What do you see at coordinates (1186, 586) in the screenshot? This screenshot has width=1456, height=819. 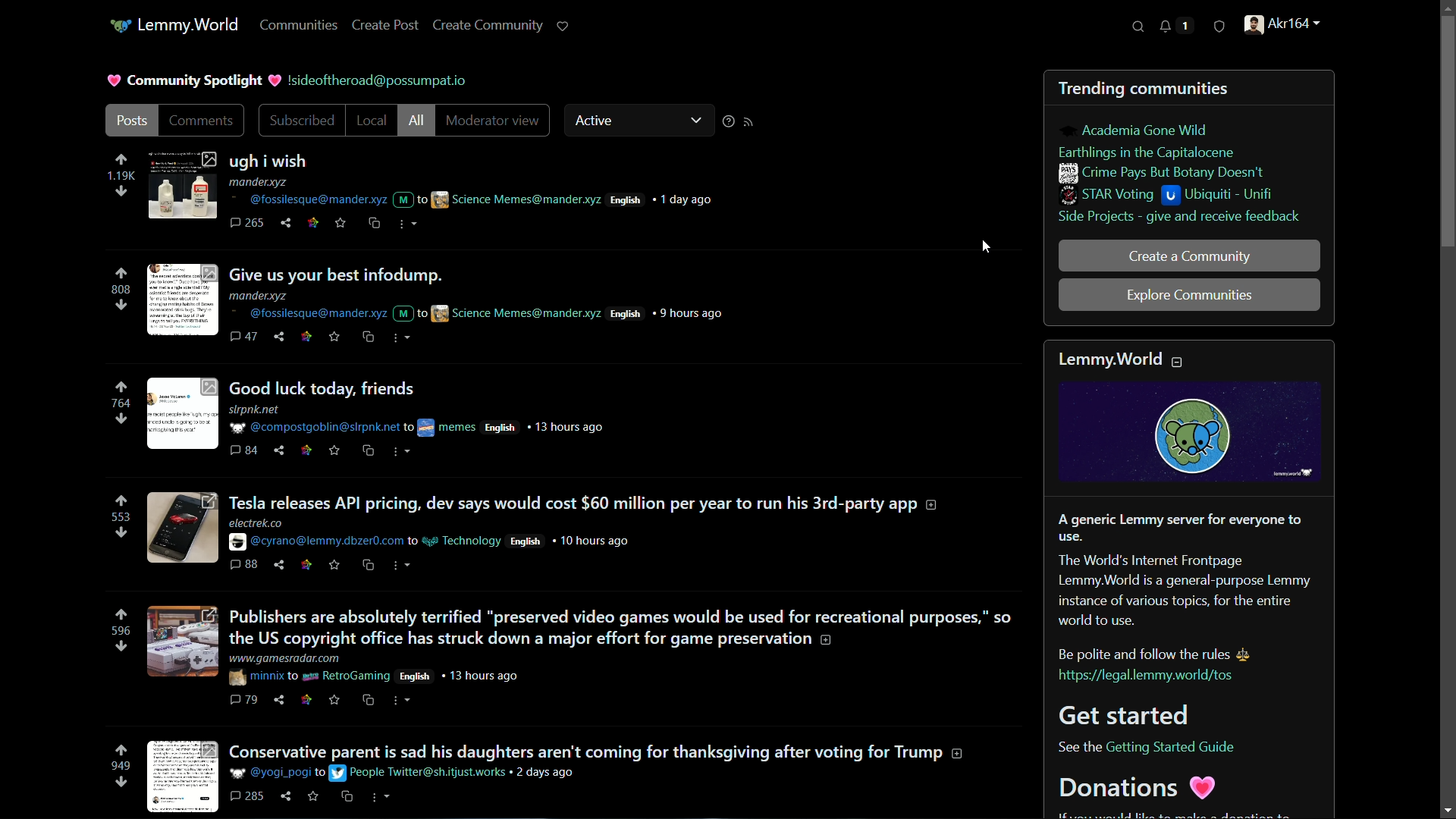 I see `A generic Lemmy server for everyone to use. The World's Internet Frontpage Lemmy.World is a general-purpose Lemmy instance of various topics, for the entire world to use. Be polite and follow the rules.` at bounding box center [1186, 586].